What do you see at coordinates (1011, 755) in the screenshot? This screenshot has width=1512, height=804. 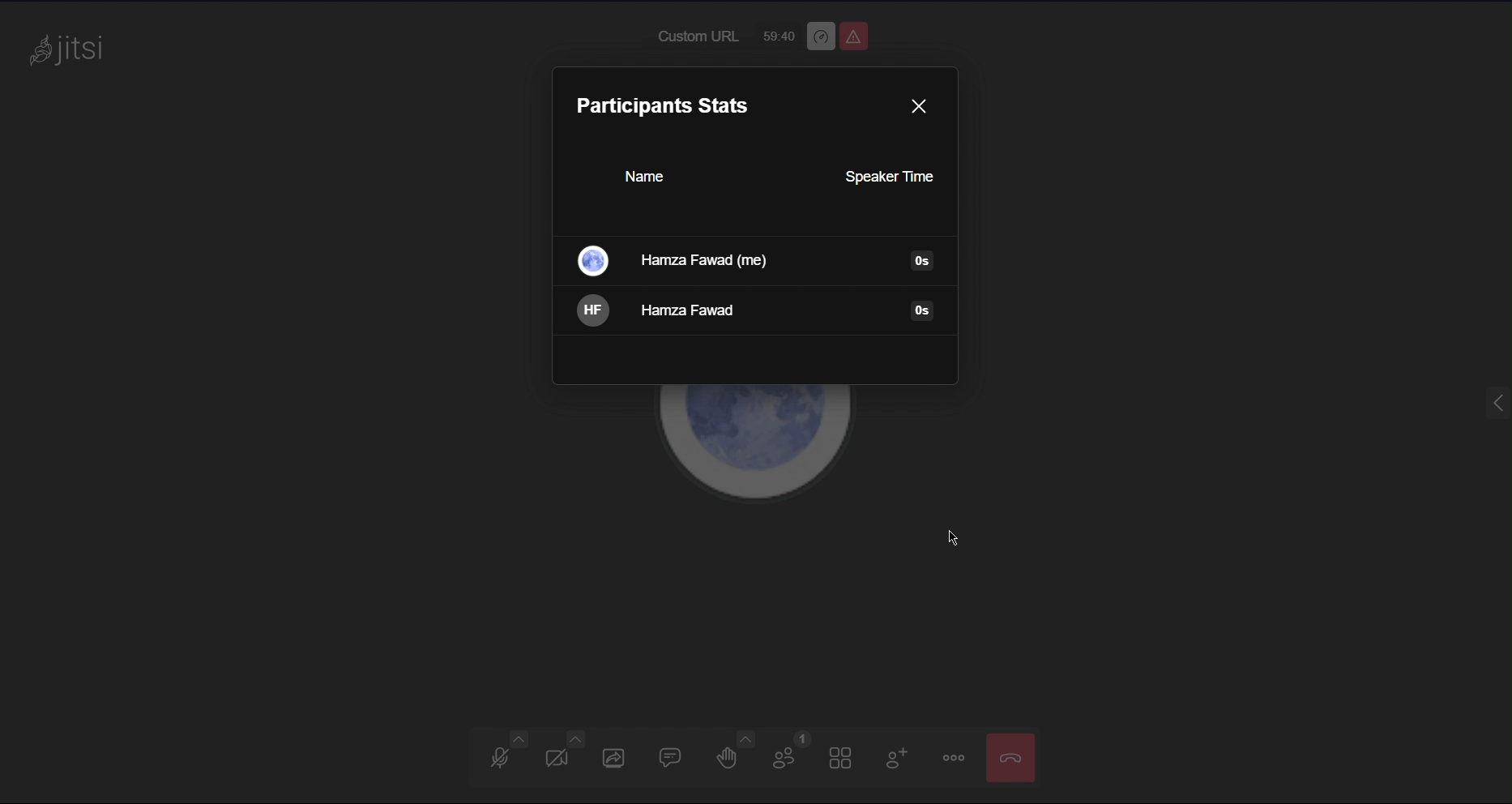 I see `End meeting` at bounding box center [1011, 755].